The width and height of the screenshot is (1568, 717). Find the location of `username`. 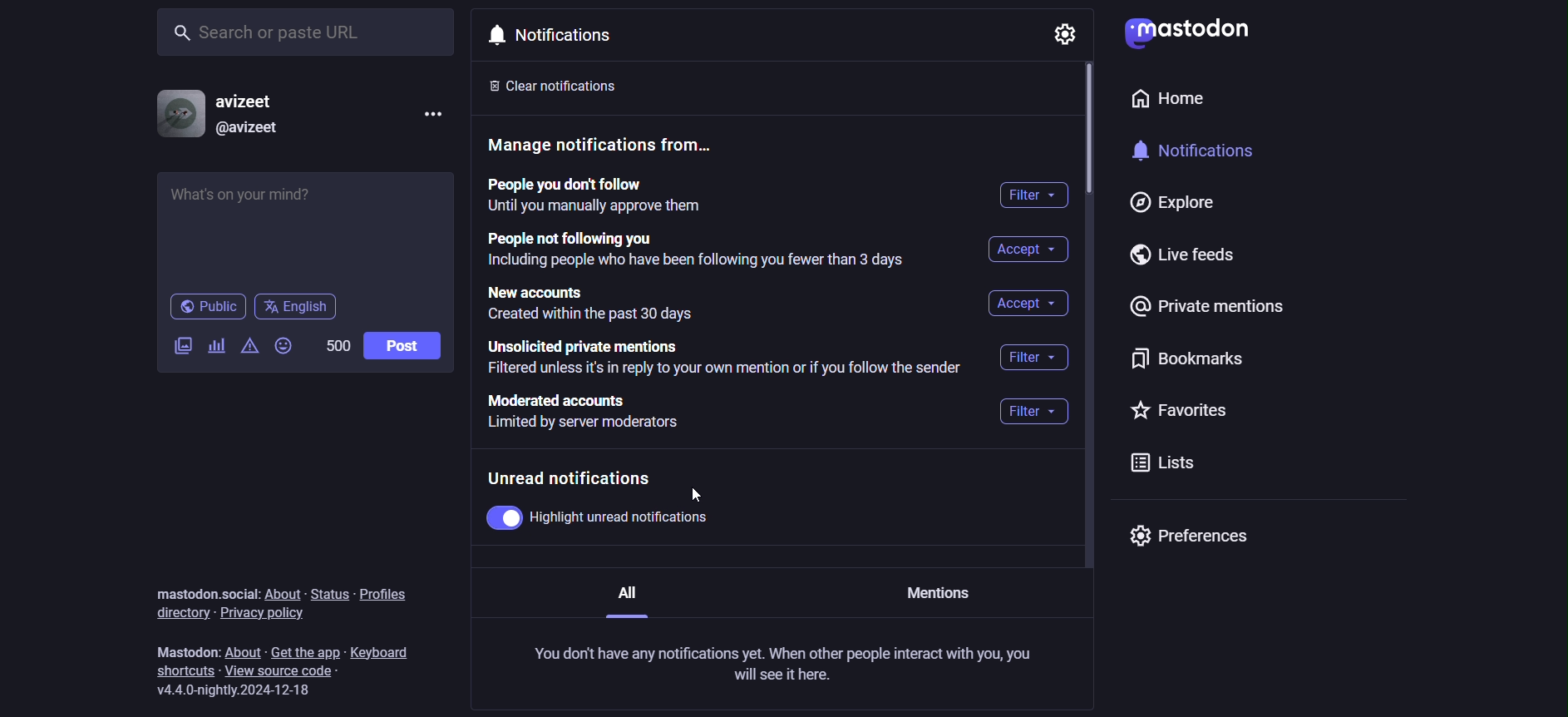

username is located at coordinates (255, 100).